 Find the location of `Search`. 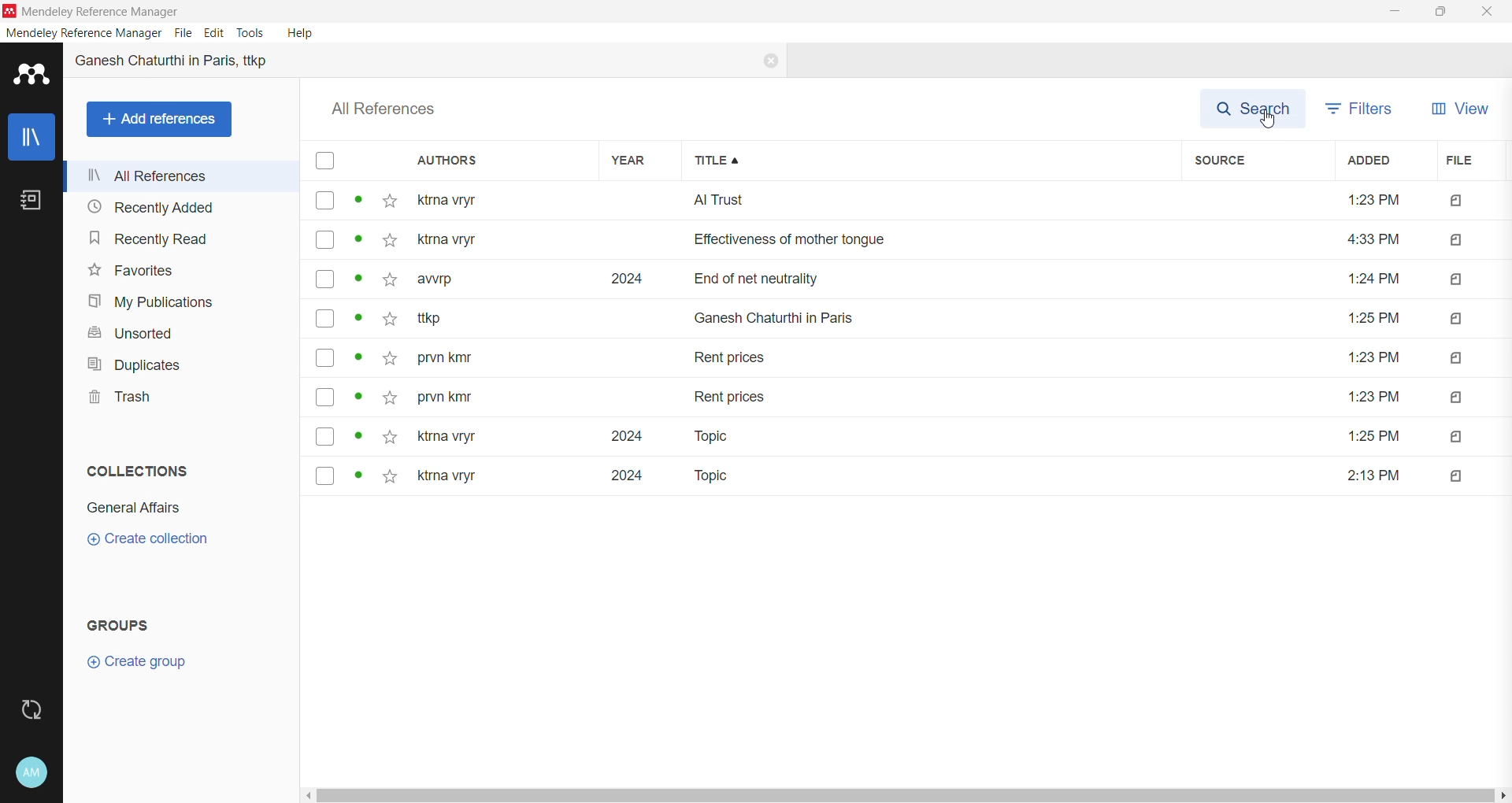

Search is located at coordinates (1257, 109).